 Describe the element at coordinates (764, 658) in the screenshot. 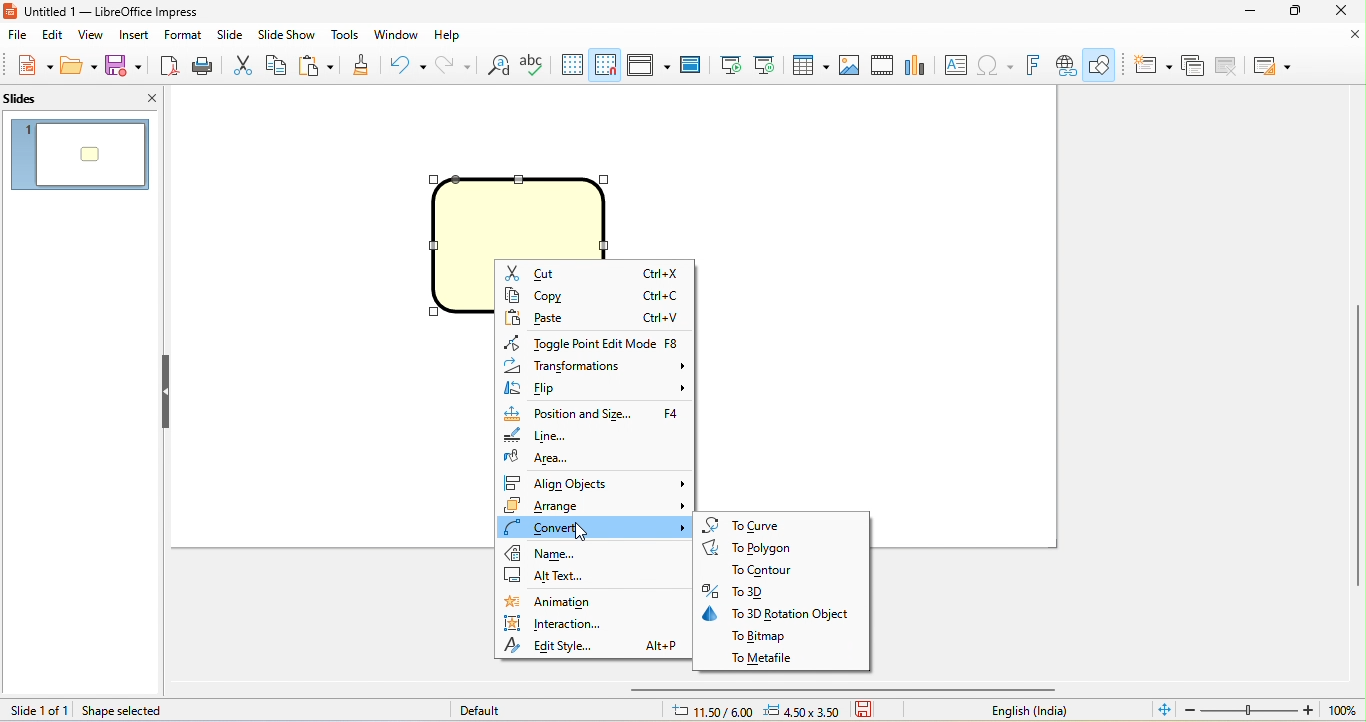

I see `to metafile` at that location.